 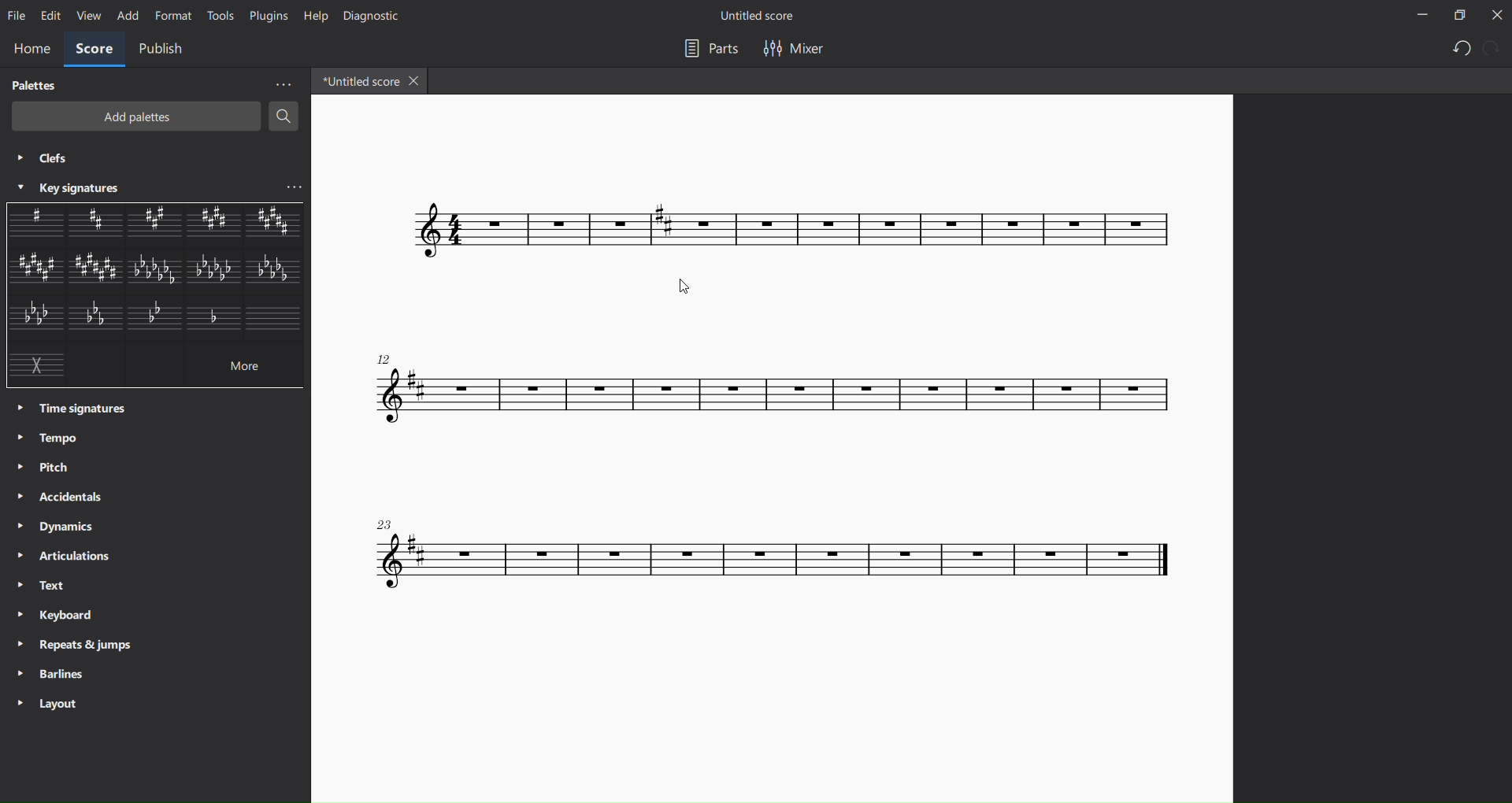 I want to click on file, so click(x=18, y=15).